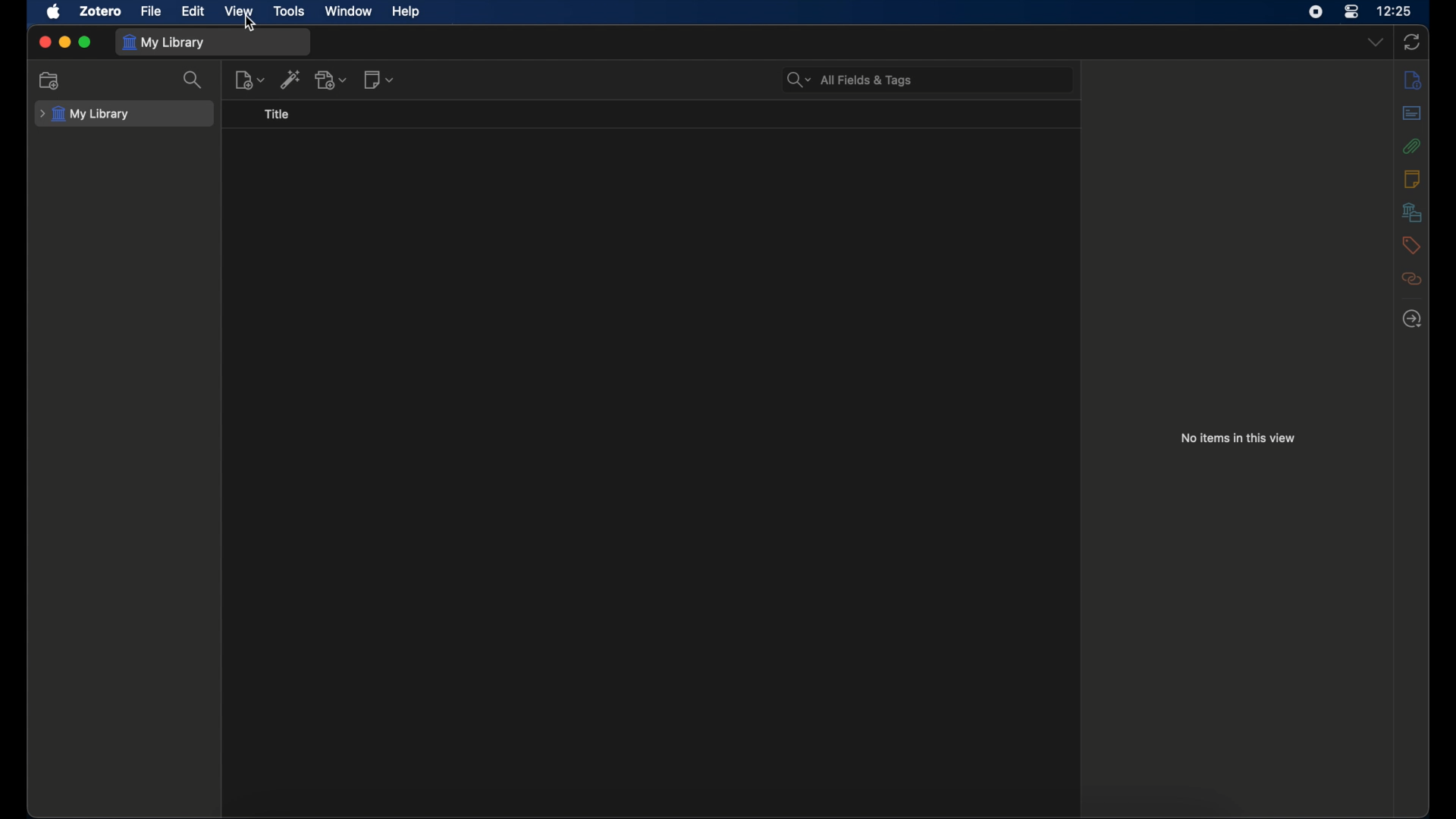 This screenshot has width=1456, height=819. I want to click on maximize, so click(86, 42).